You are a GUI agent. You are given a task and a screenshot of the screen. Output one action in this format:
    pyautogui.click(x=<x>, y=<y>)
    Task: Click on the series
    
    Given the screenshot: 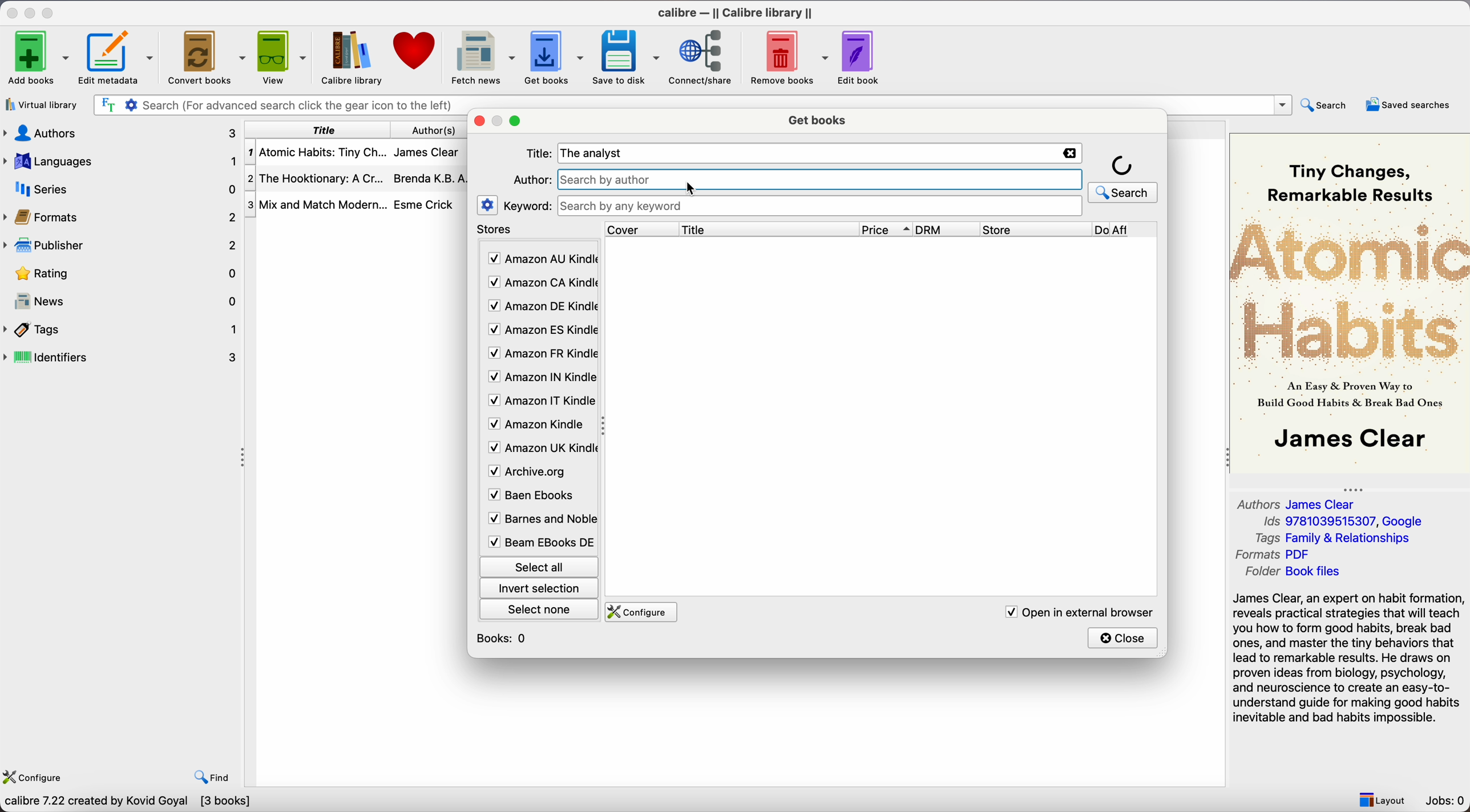 What is the action you would take?
    pyautogui.click(x=120, y=189)
    